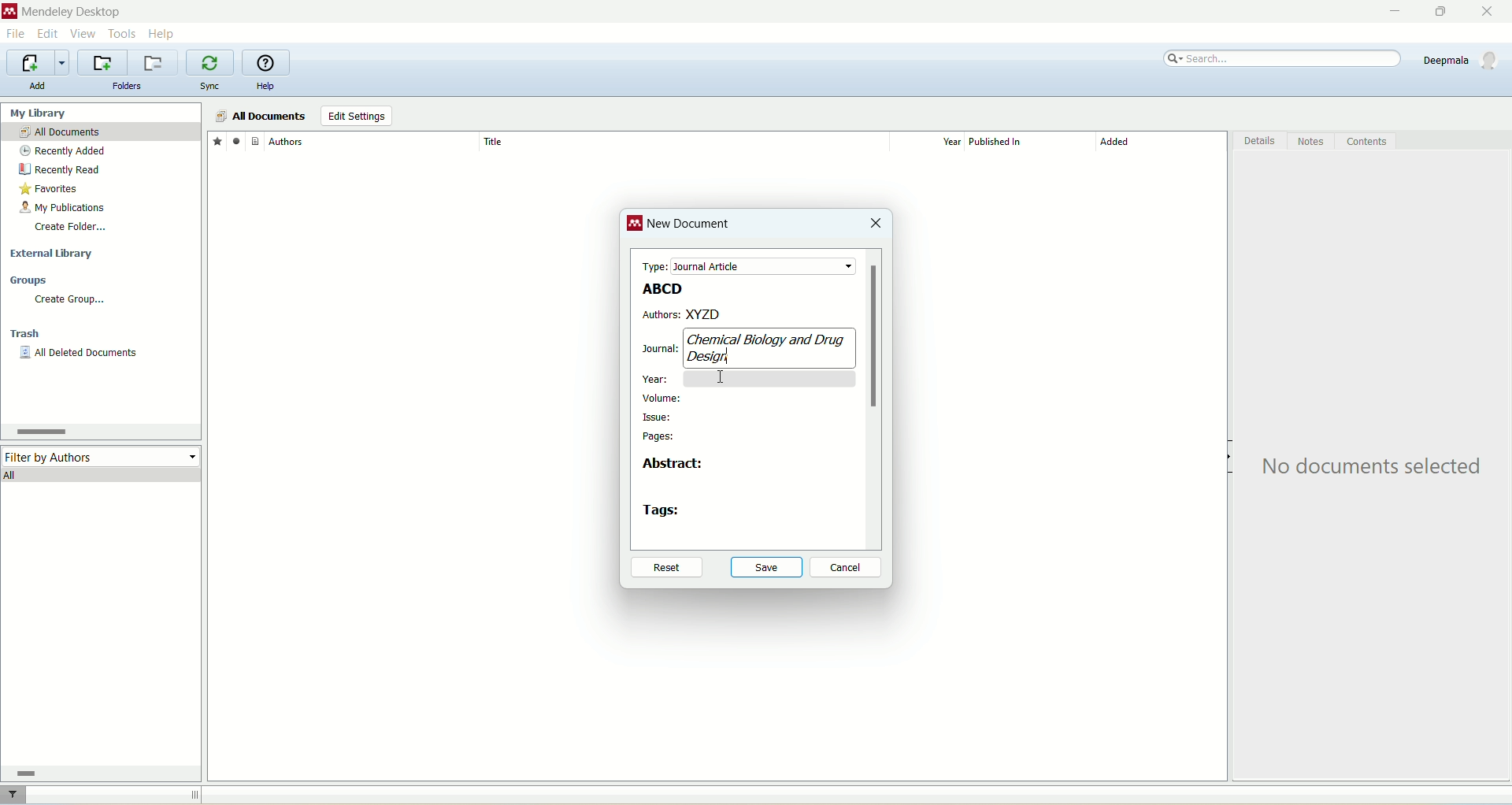 The image size is (1512, 805). Describe the element at coordinates (80, 354) in the screenshot. I see `all deleted` at that location.